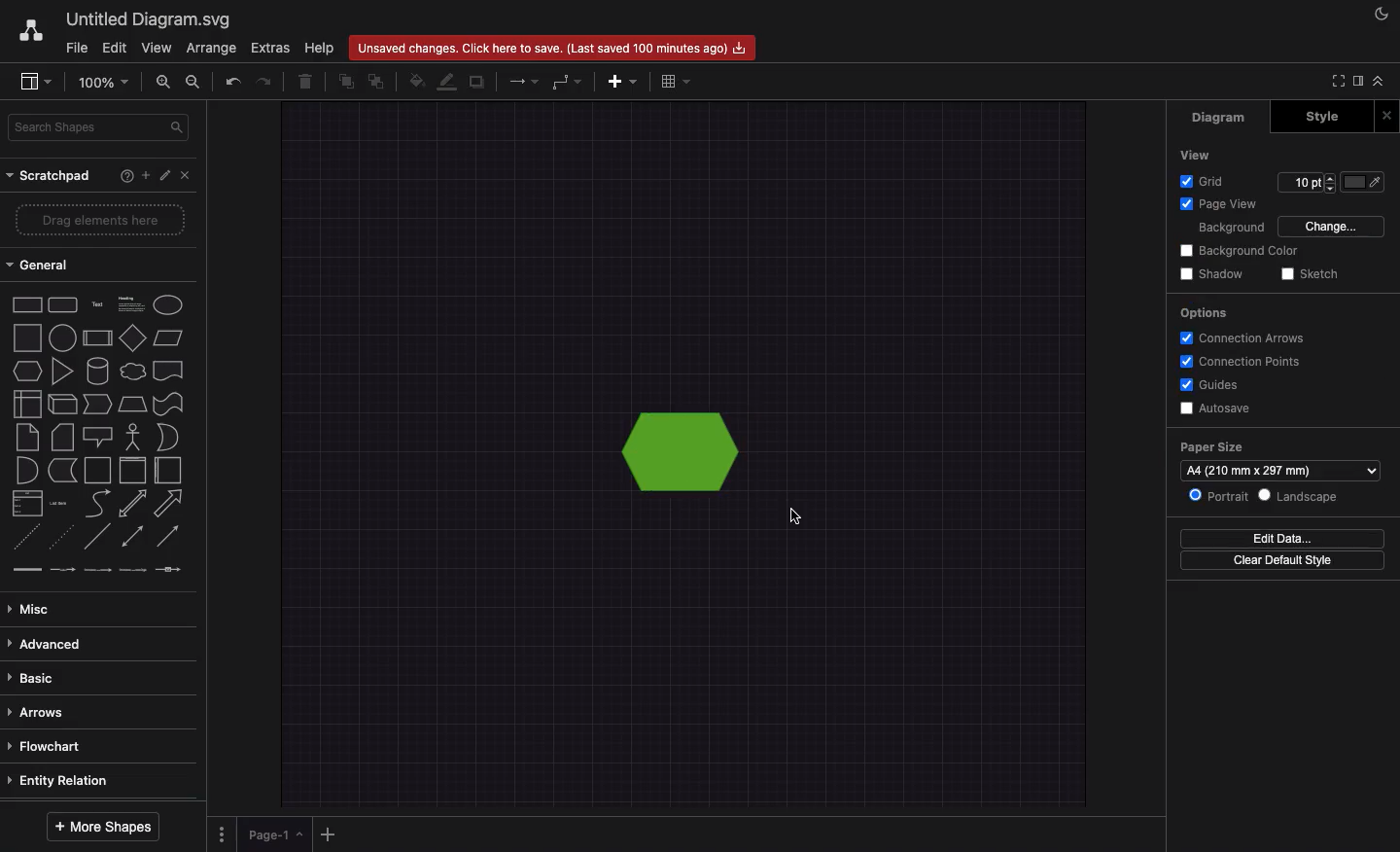  I want to click on Sidebar, so click(34, 83).